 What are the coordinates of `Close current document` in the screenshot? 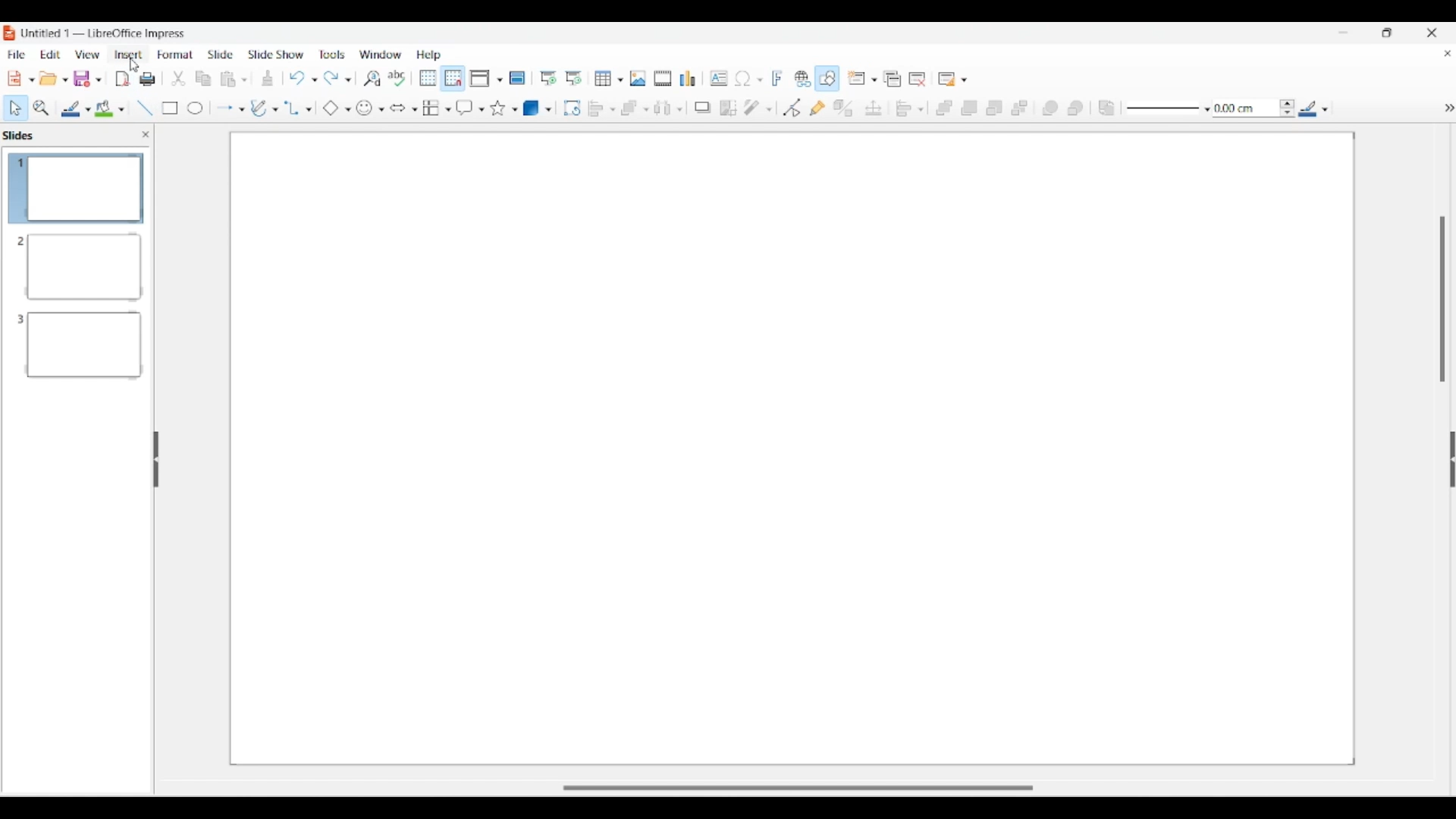 It's located at (1448, 53).